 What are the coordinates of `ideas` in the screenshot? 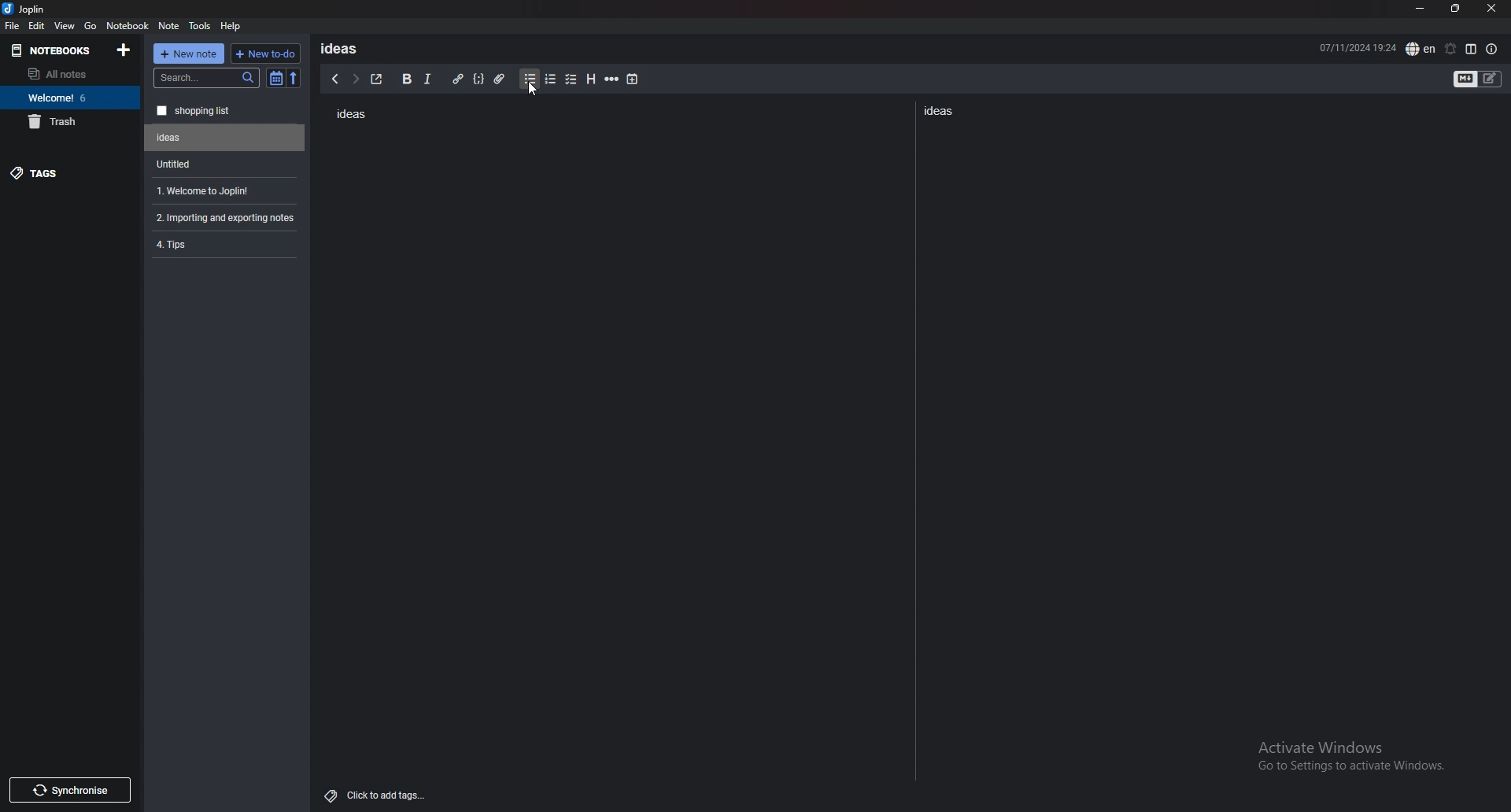 It's located at (943, 110).